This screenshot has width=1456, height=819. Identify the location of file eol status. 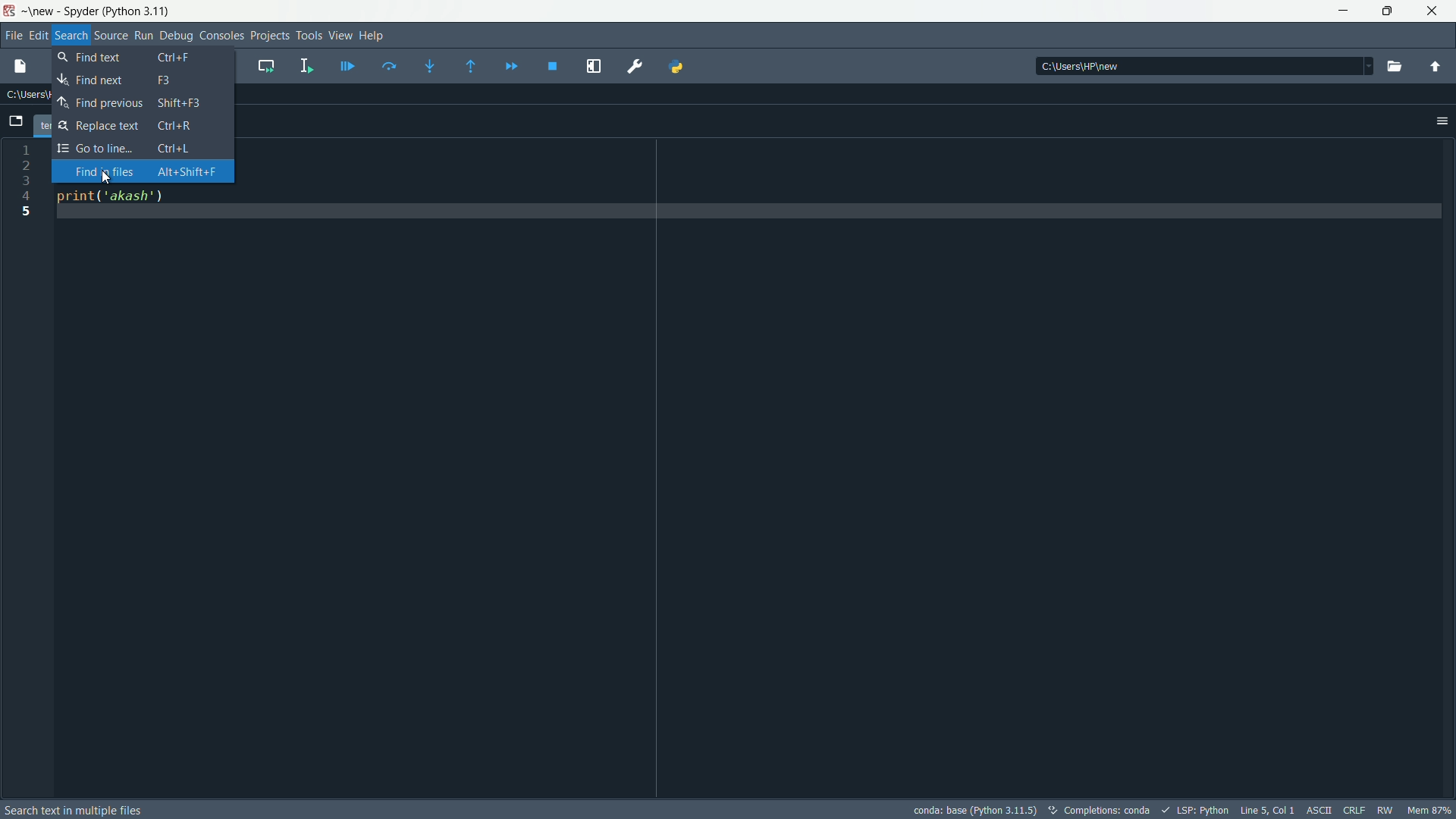
(1357, 809).